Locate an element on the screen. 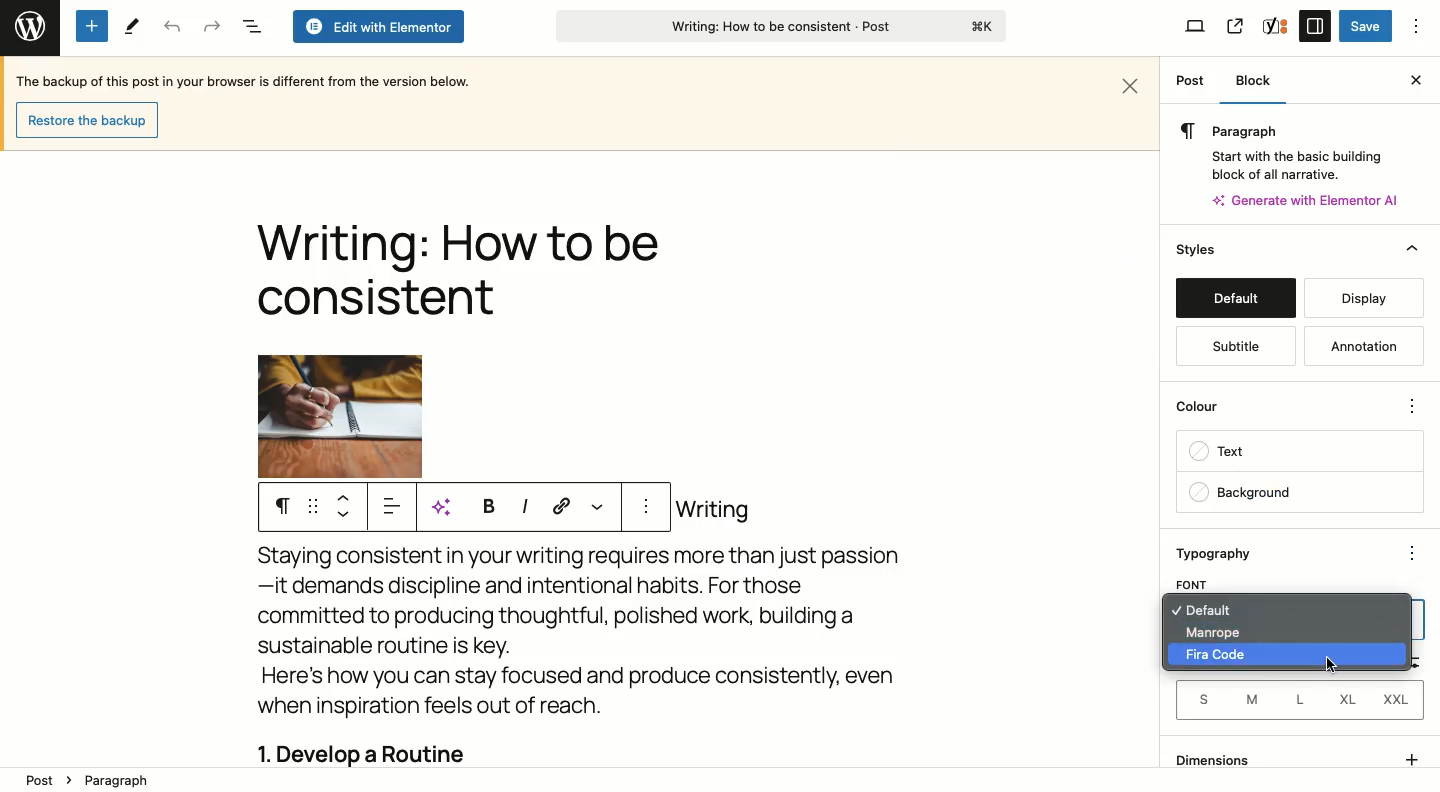  Wordpress logo is located at coordinates (28, 23).